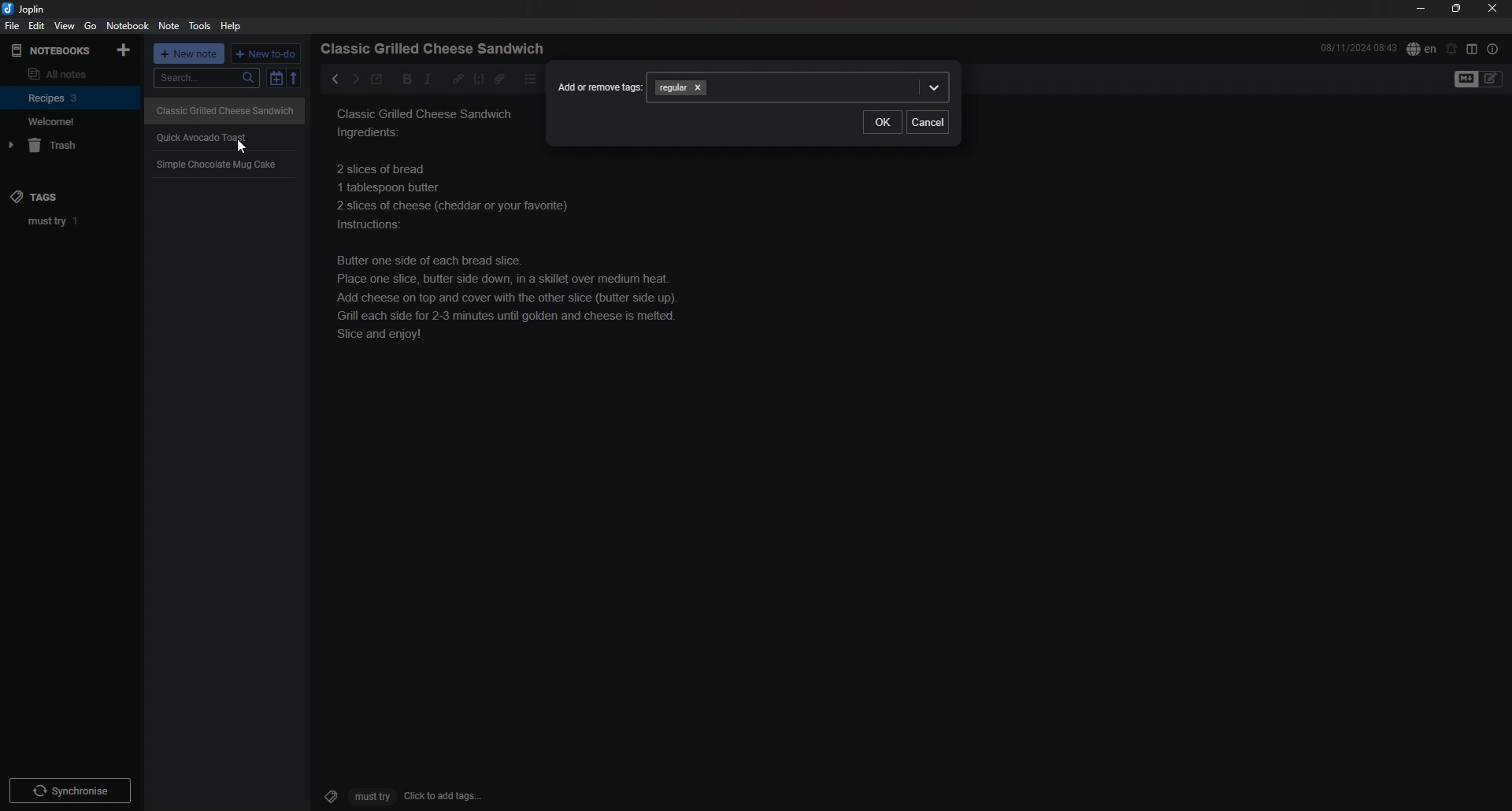 This screenshot has width=1512, height=811. I want to click on bullet list, so click(531, 79).